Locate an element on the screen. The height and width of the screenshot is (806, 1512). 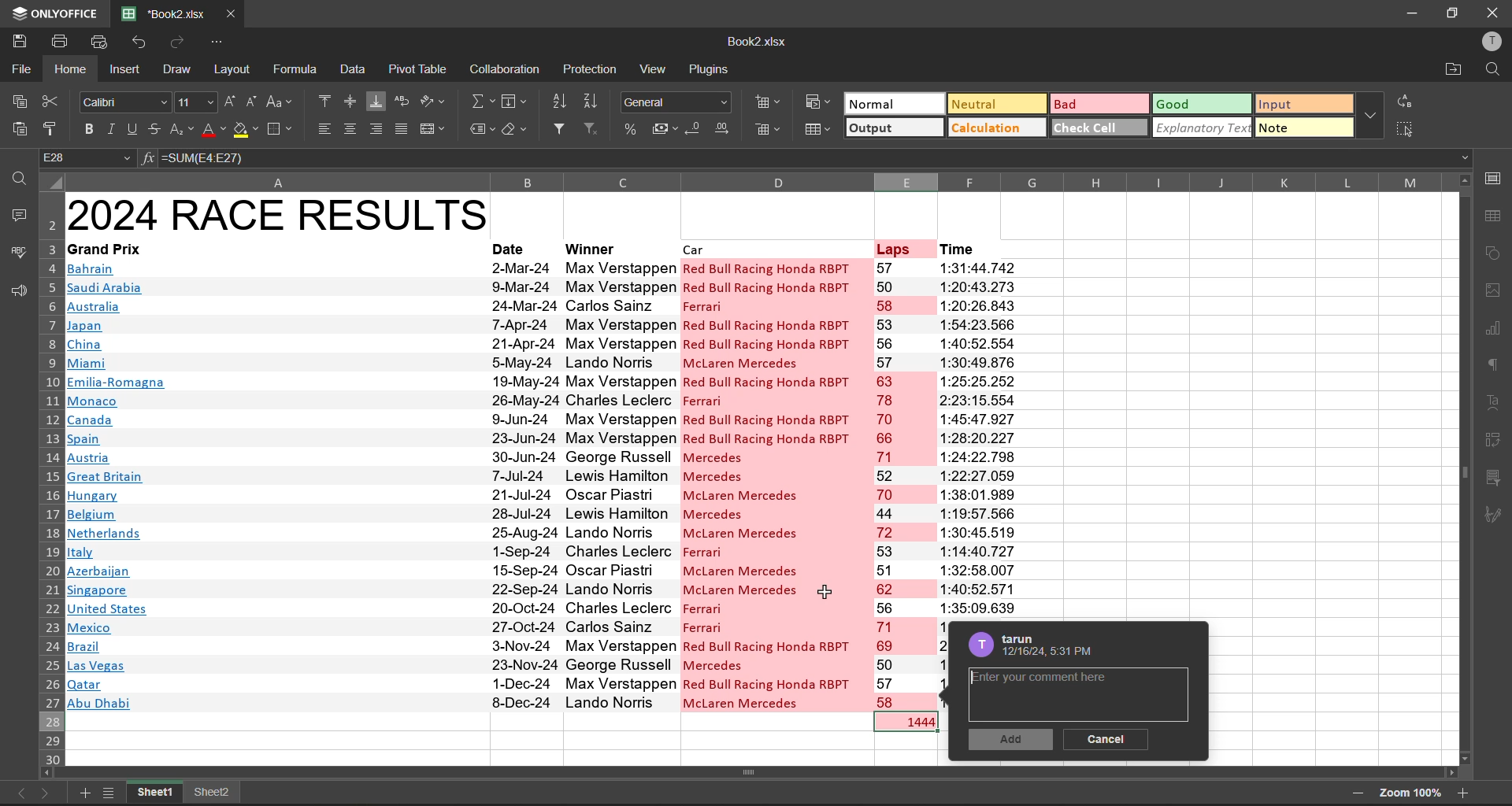
format as table is located at coordinates (819, 134).